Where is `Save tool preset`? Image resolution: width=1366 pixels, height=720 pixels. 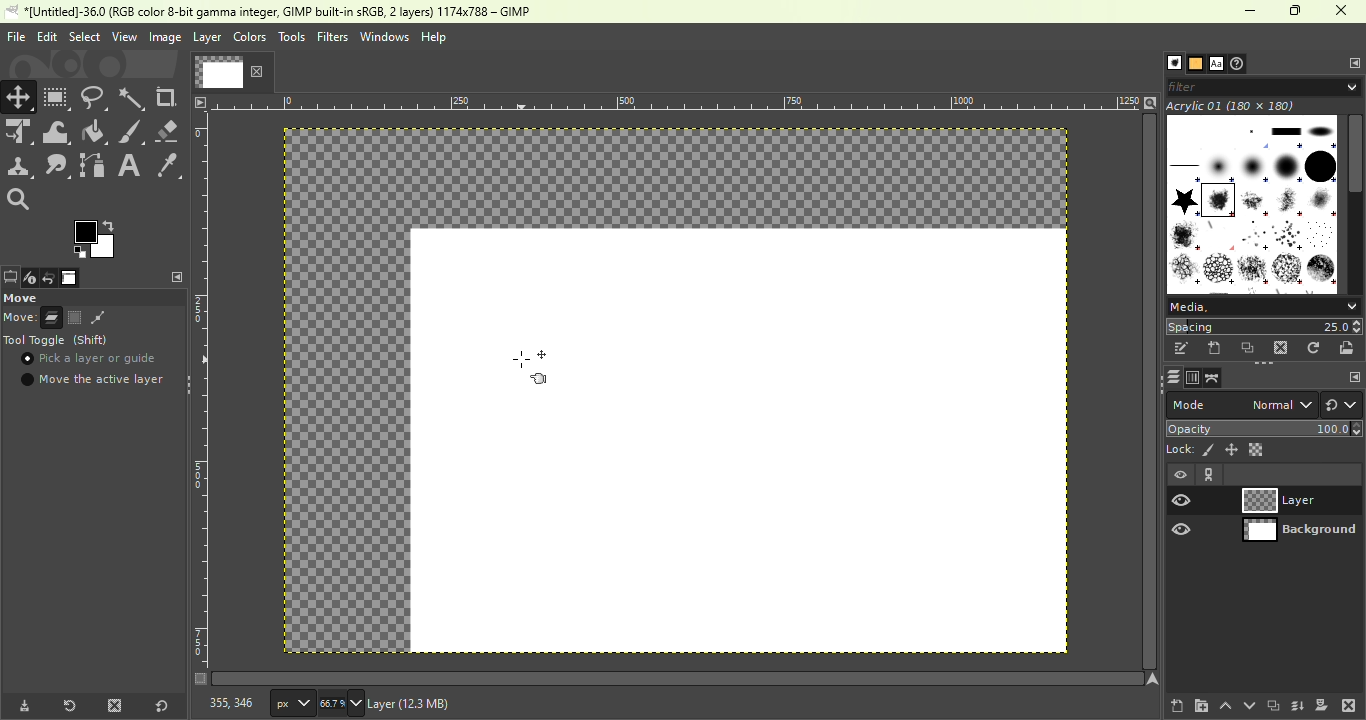
Save tool preset is located at coordinates (22, 707).